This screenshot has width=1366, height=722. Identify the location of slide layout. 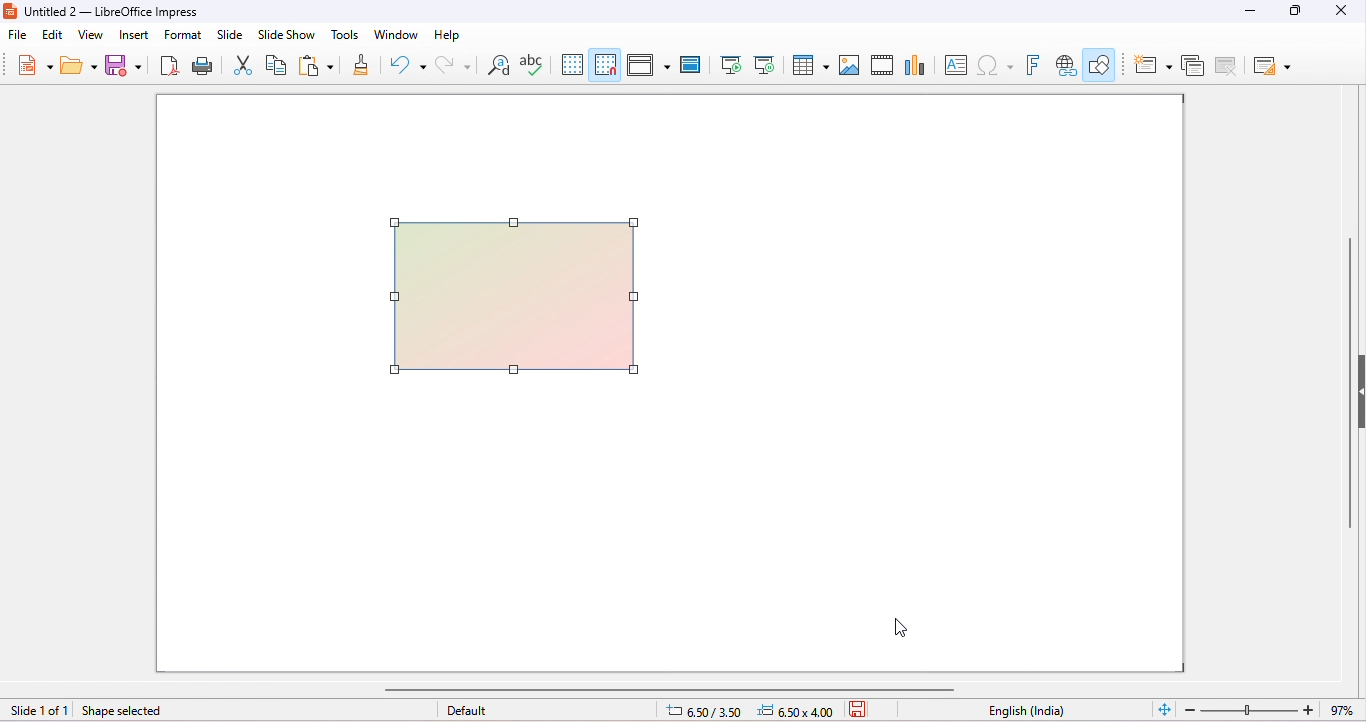
(1274, 67).